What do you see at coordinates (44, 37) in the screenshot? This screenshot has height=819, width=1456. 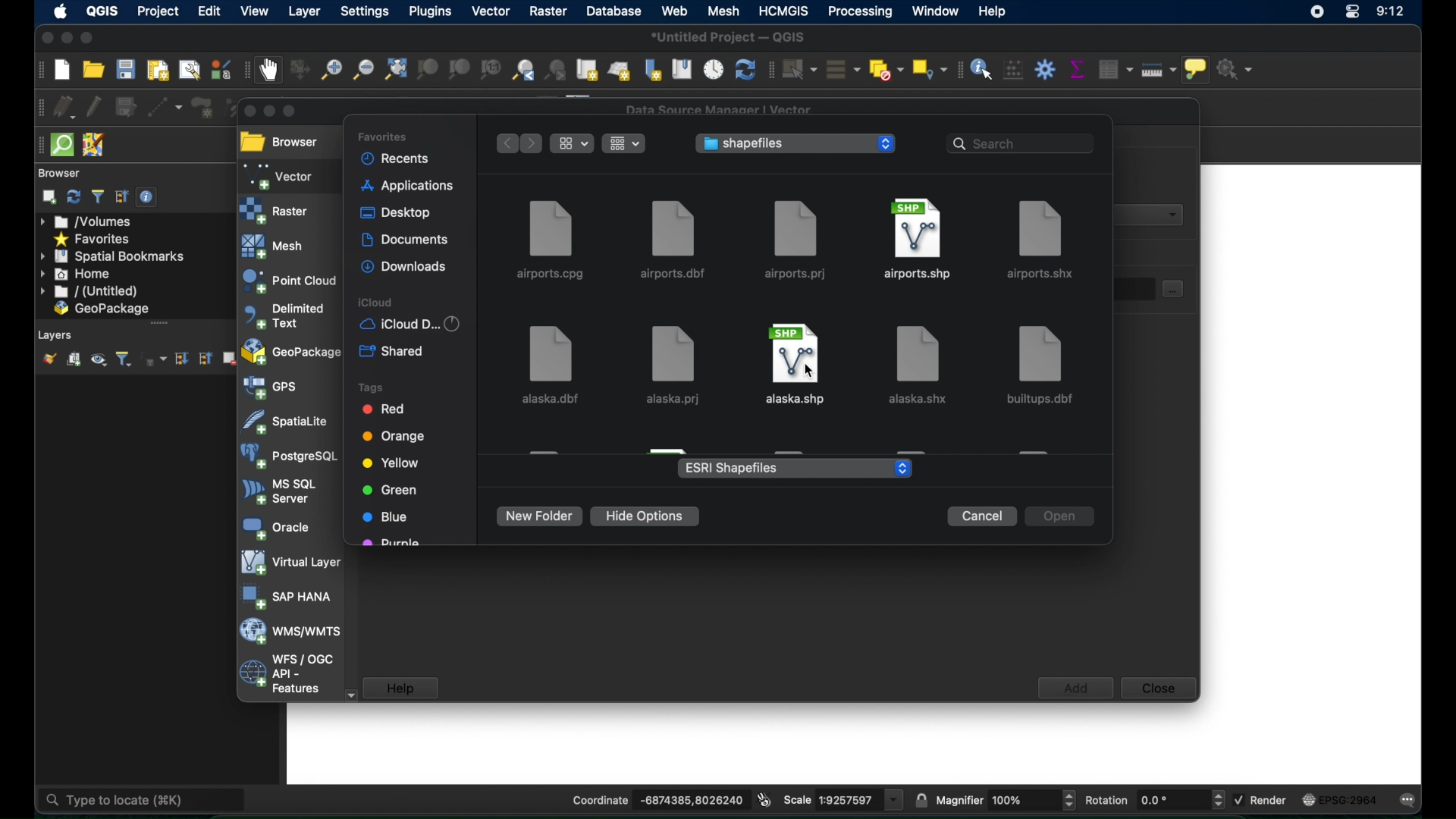 I see `close` at bounding box center [44, 37].